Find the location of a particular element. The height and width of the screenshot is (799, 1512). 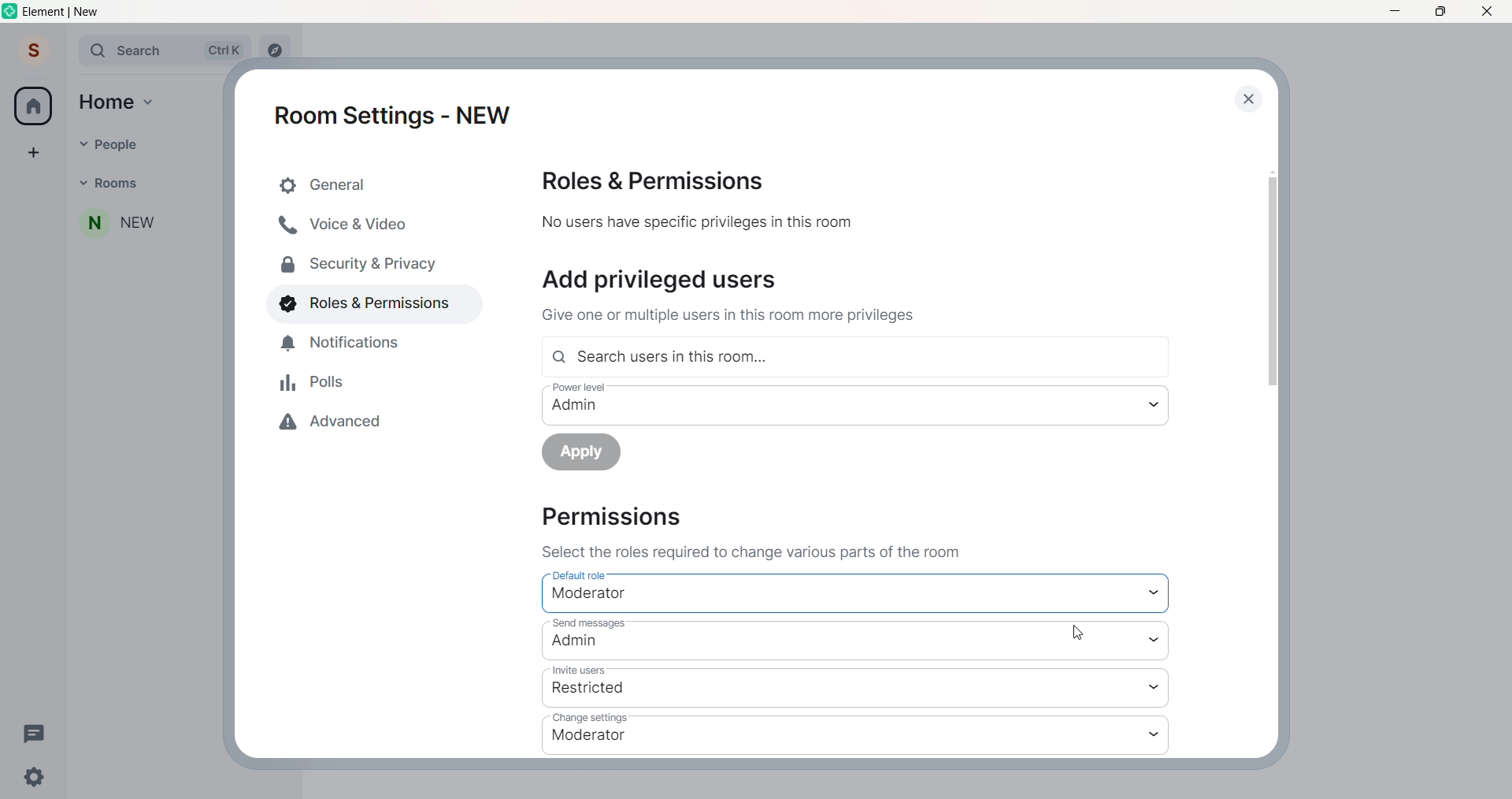

roles and permission is located at coordinates (660, 180).